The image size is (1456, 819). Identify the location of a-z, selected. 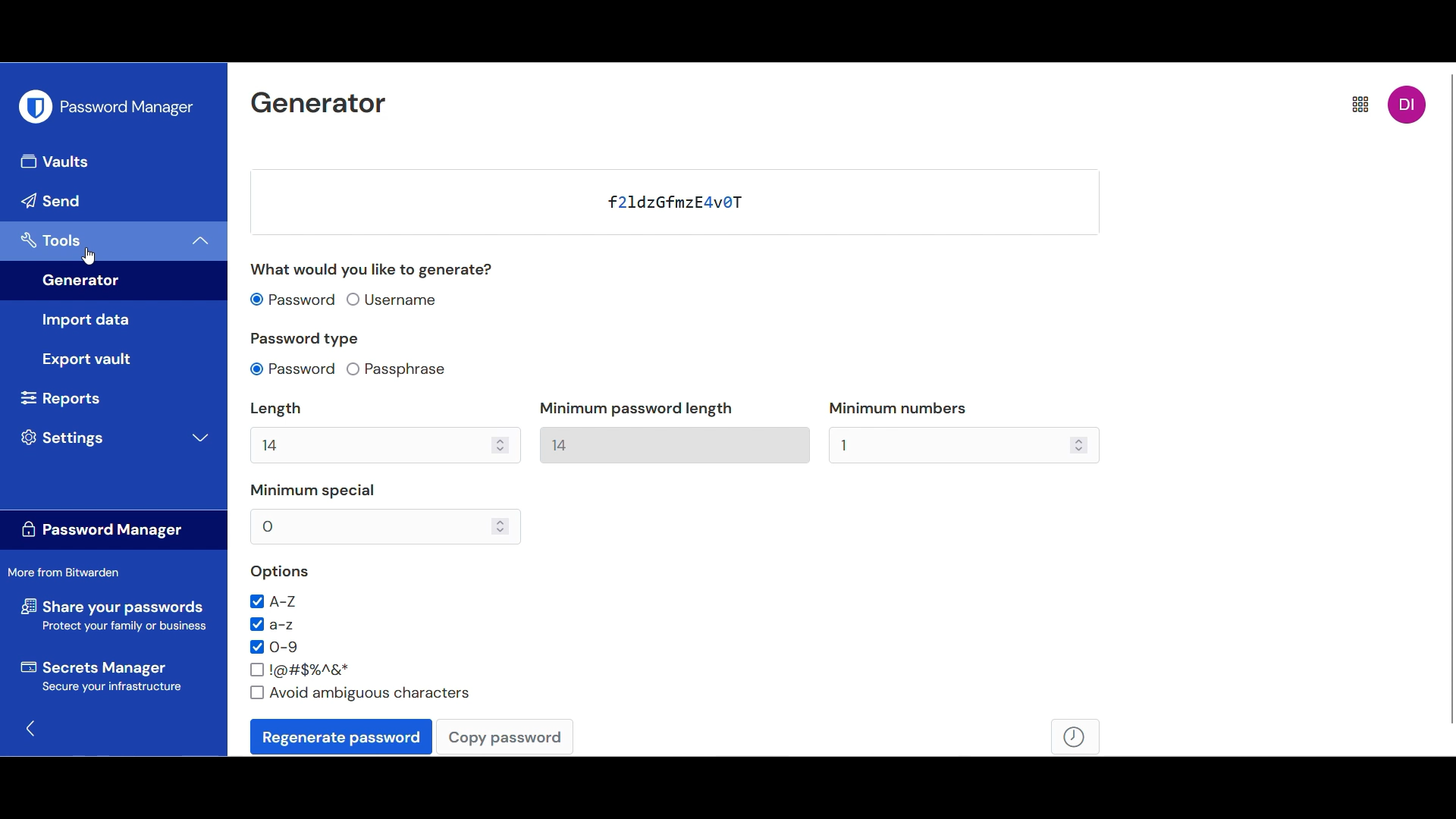
(274, 625).